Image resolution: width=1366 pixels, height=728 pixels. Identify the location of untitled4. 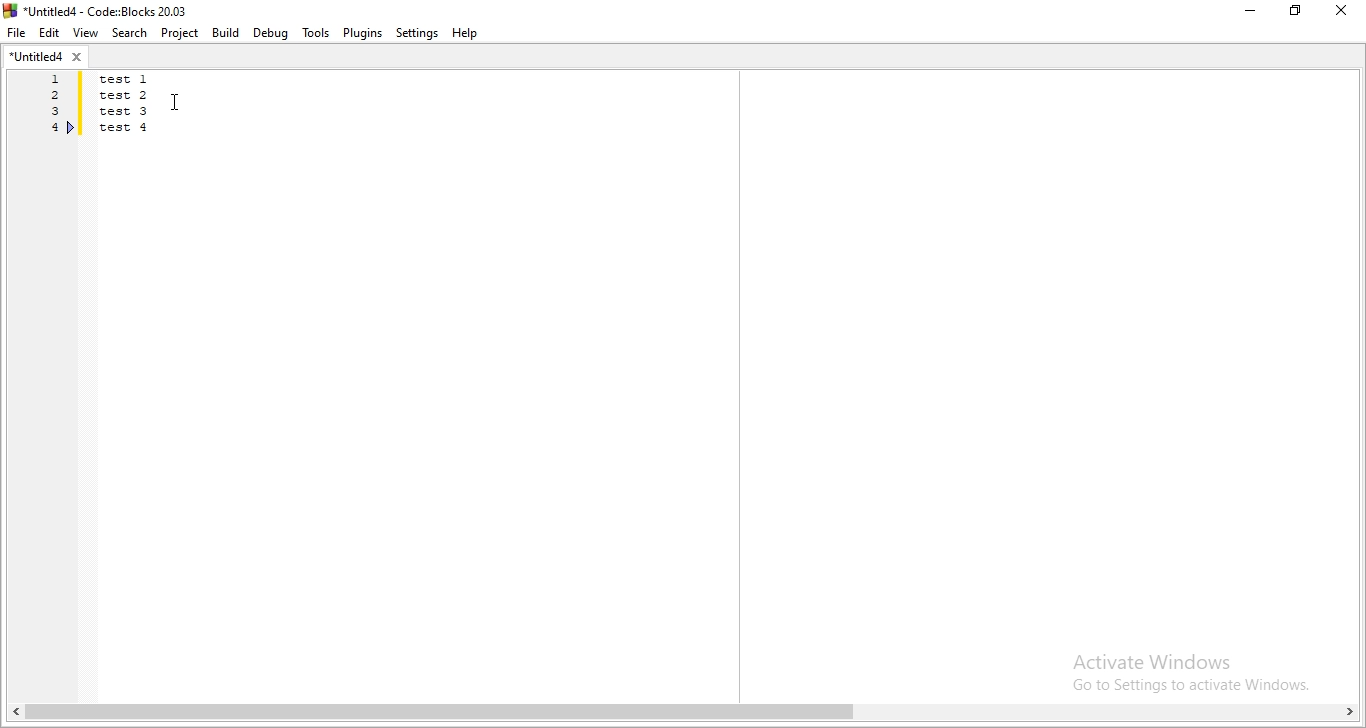
(48, 59).